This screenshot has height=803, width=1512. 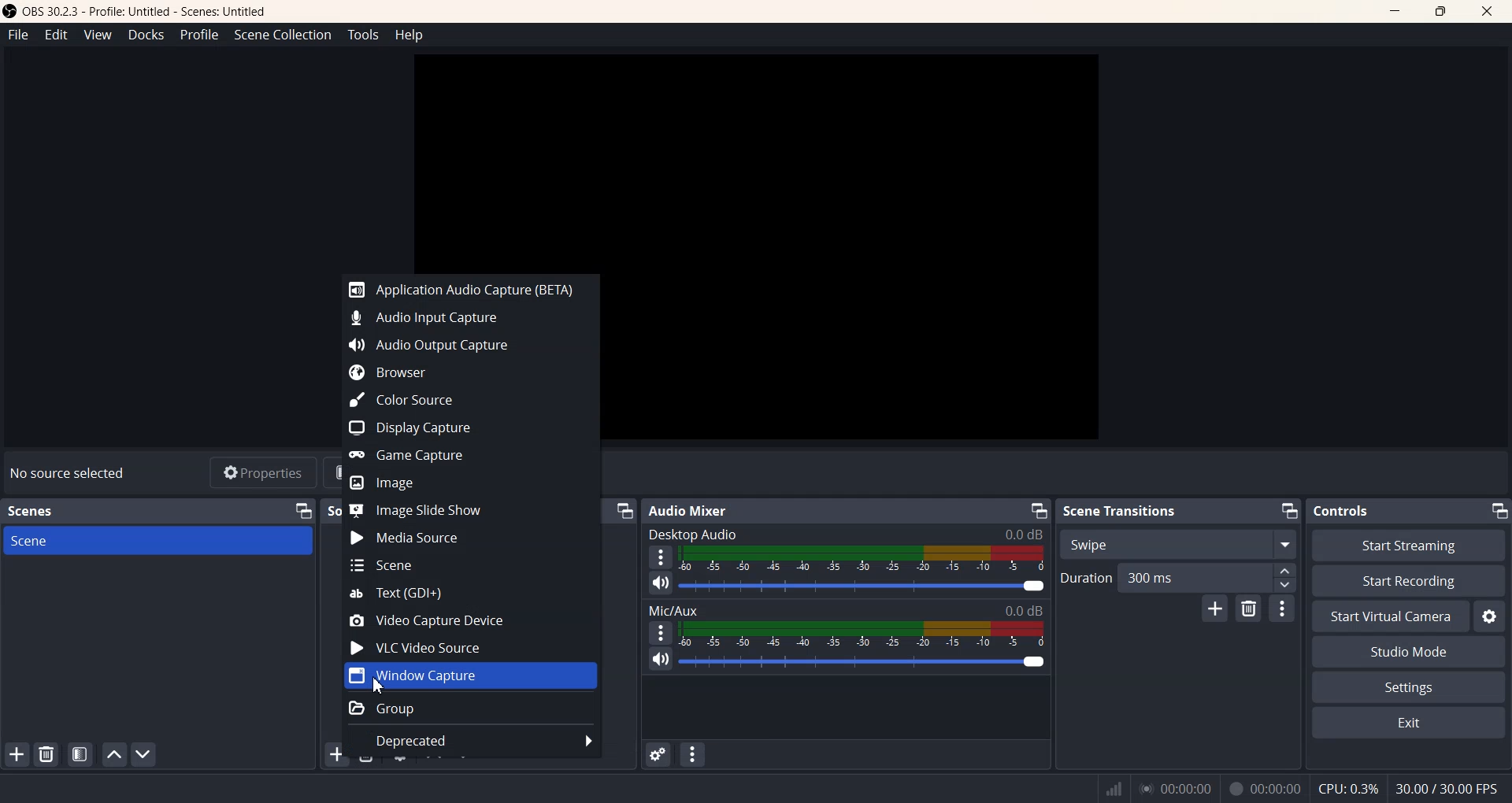 I want to click on More, so click(x=660, y=632).